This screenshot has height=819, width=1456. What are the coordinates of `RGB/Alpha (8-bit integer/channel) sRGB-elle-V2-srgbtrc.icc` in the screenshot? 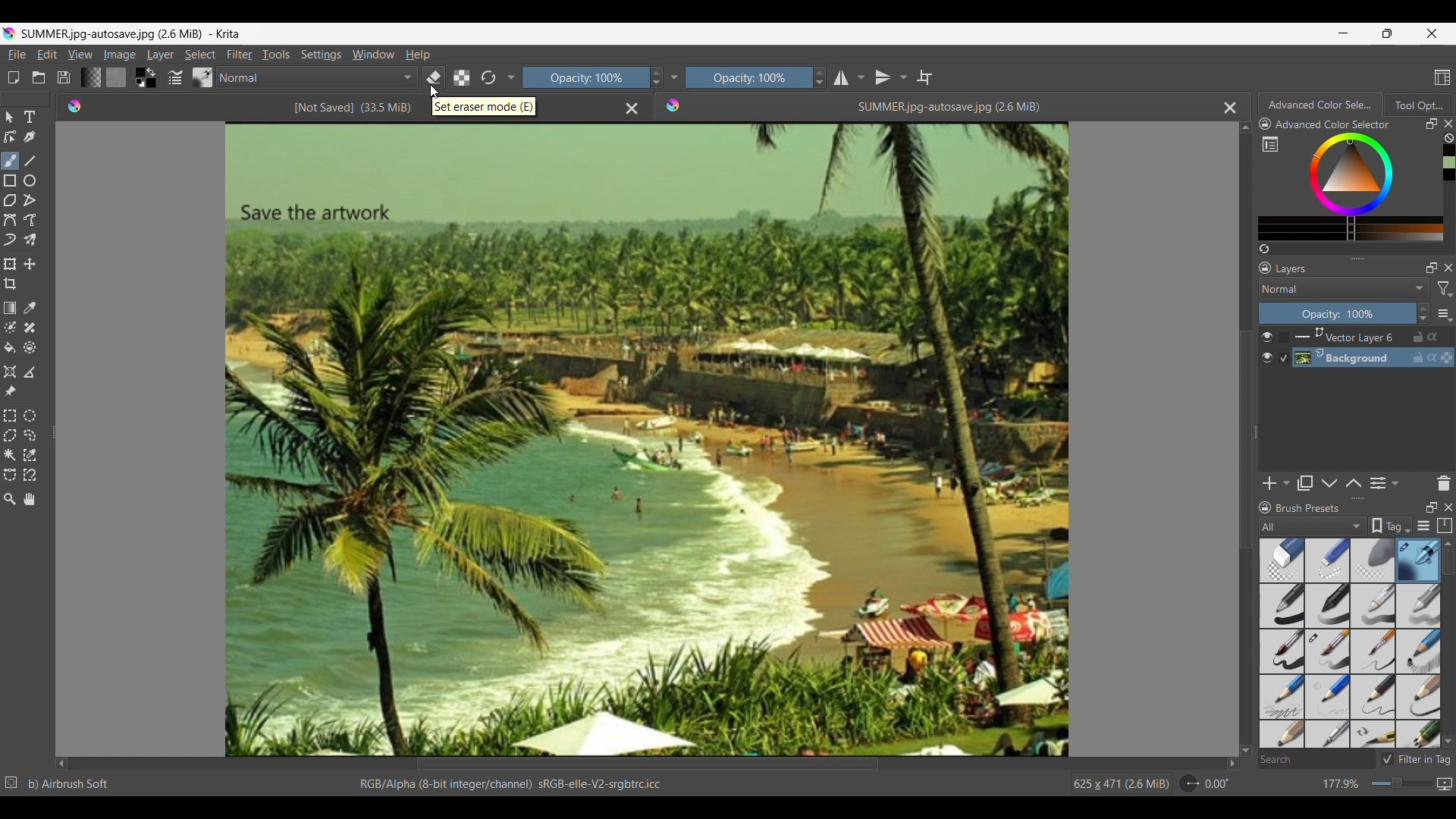 It's located at (508, 785).